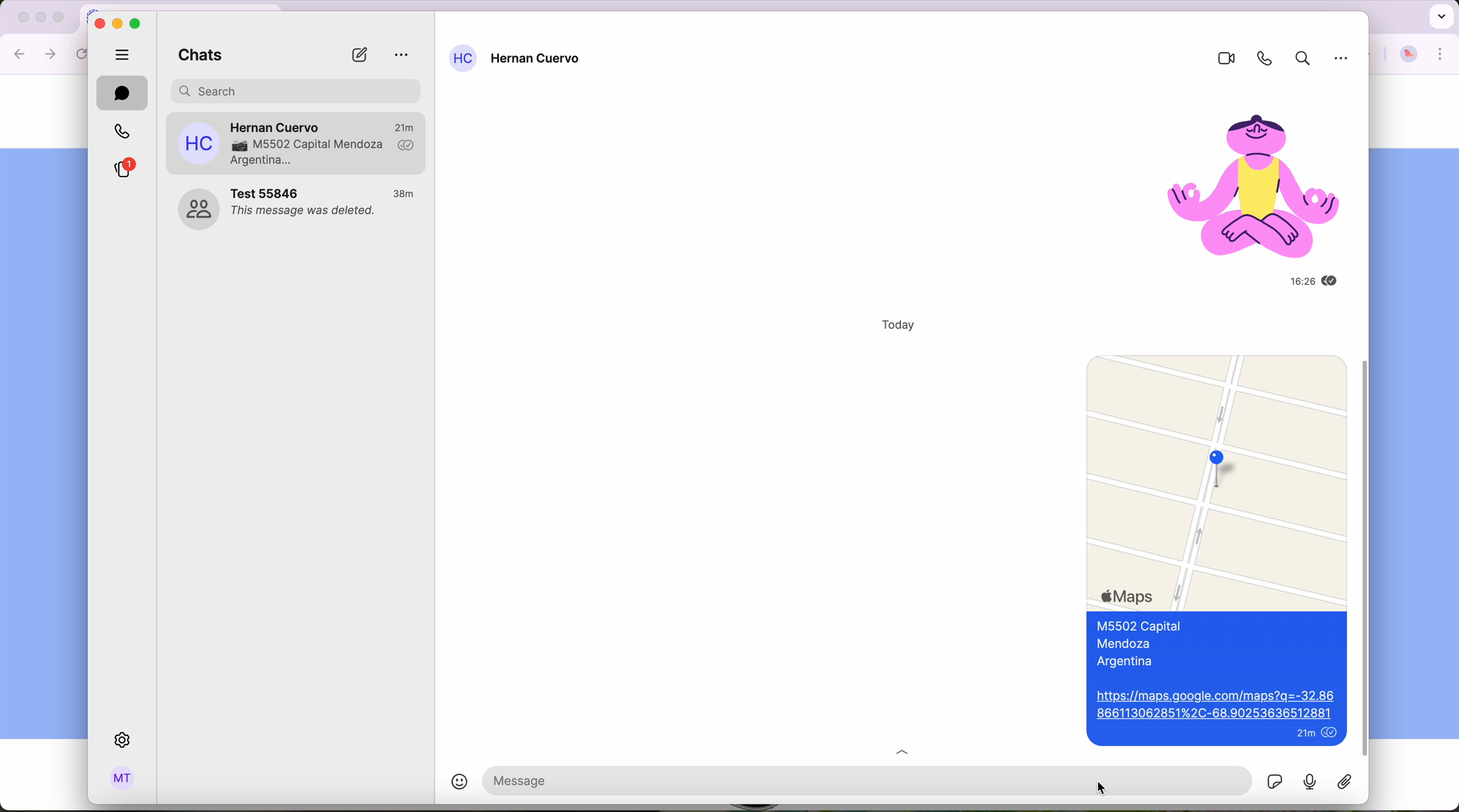 The width and height of the screenshot is (1459, 812). I want to click on Mendoza, so click(1128, 644).